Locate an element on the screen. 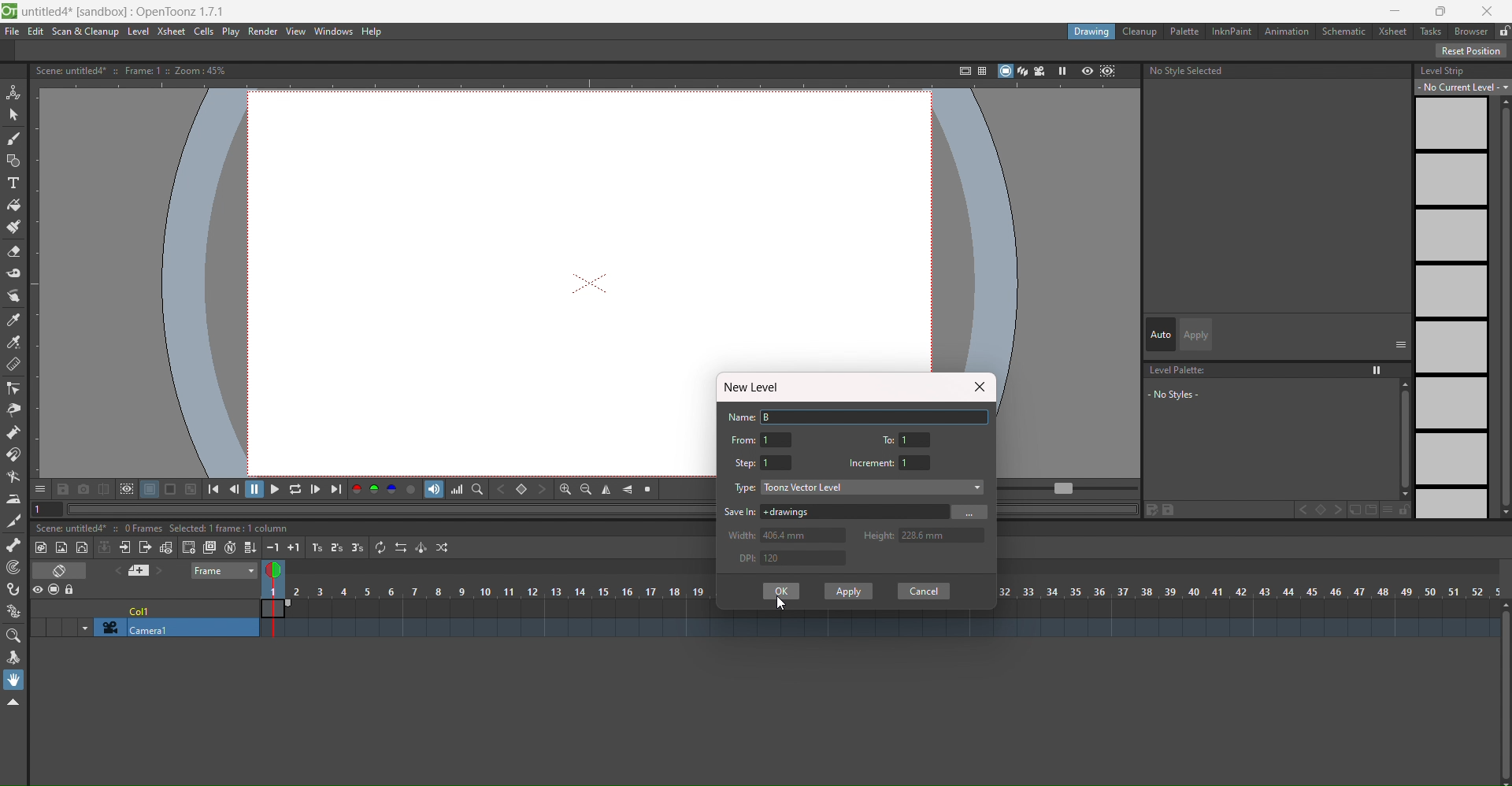 The height and width of the screenshot is (786, 1512). 120 is located at coordinates (806, 558).